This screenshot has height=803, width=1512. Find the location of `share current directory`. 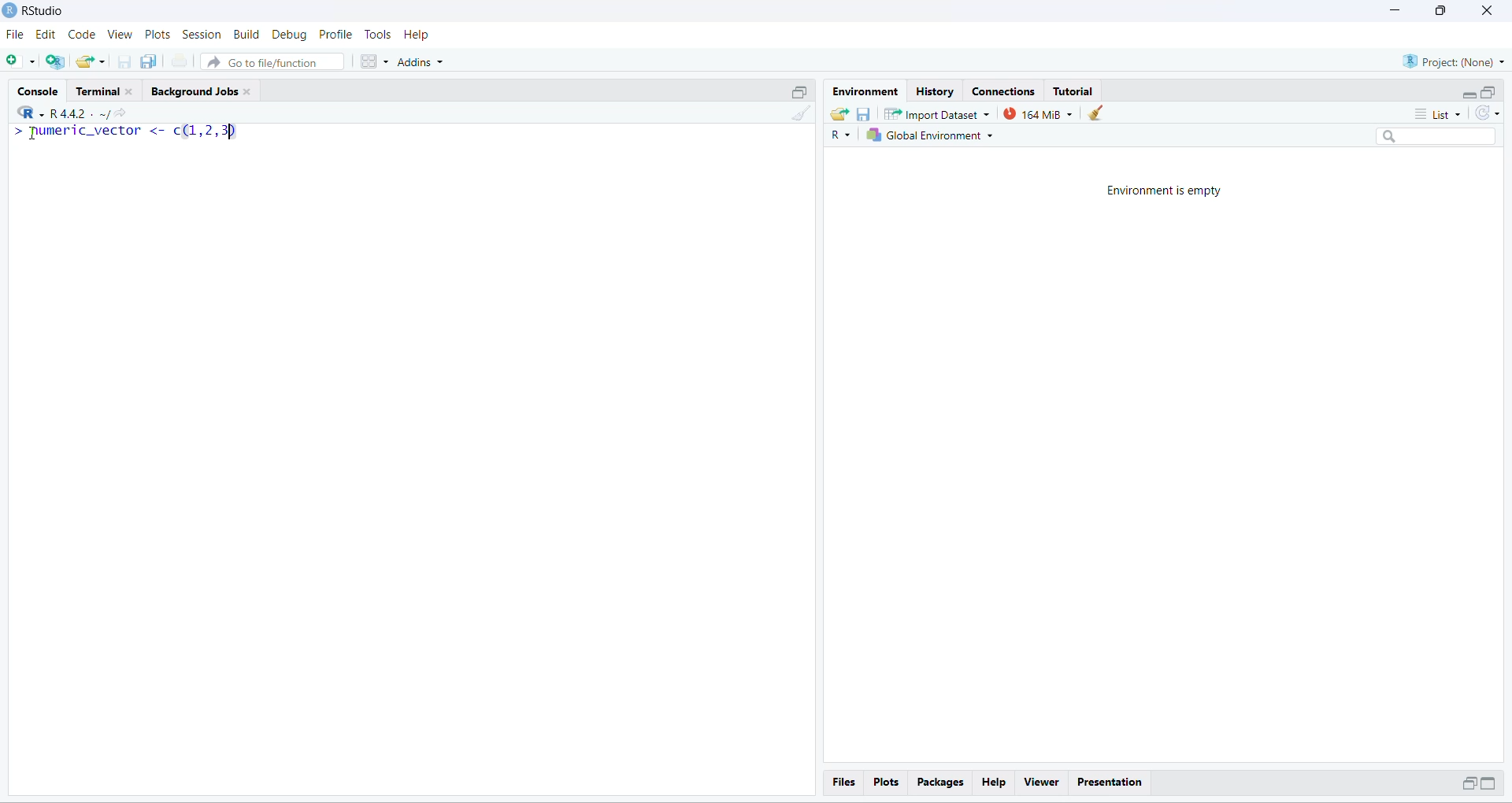

share current directory is located at coordinates (113, 116).